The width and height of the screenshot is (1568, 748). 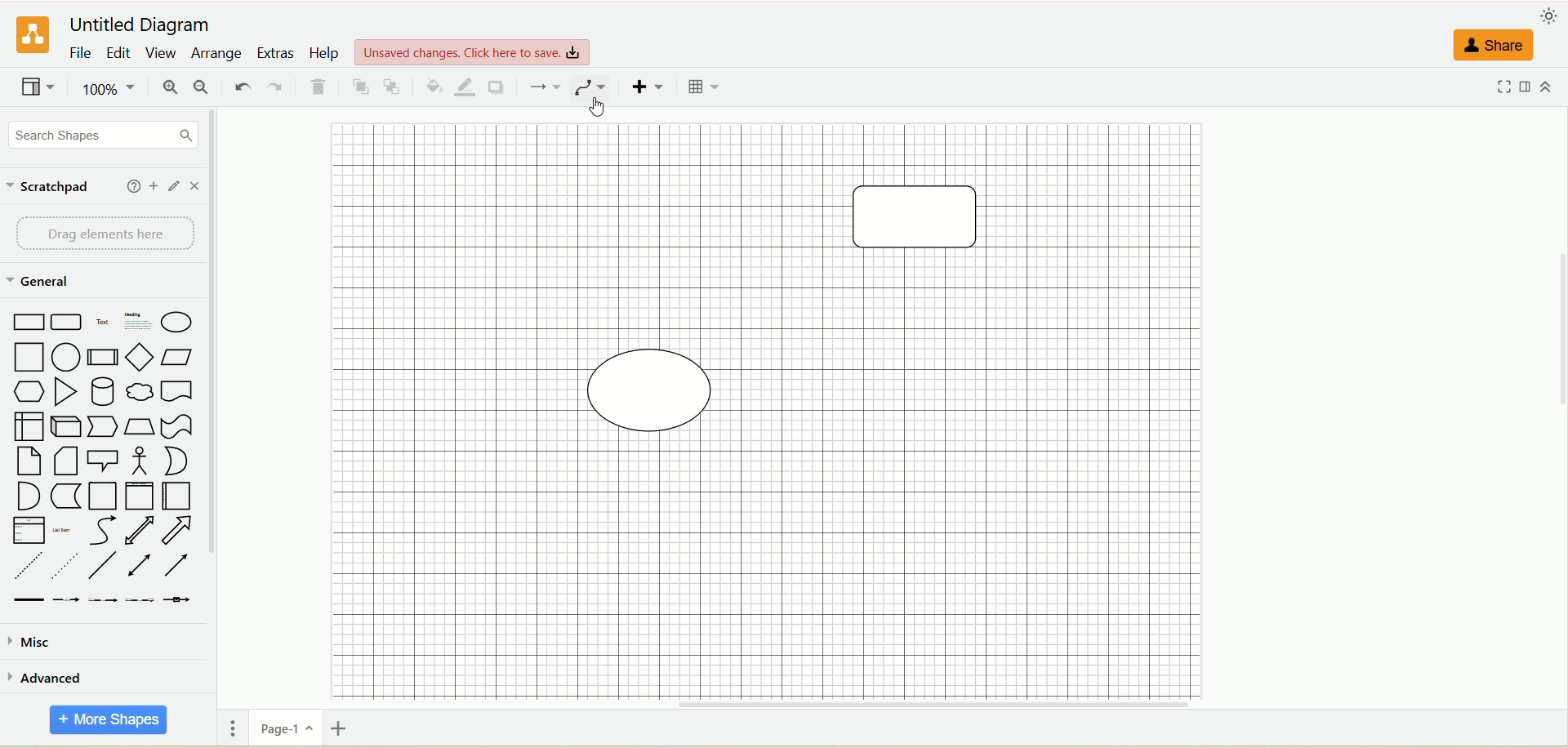 What do you see at coordinates (478, 51) in the screenshot?
I see `view` at bounding box center [478, 51].